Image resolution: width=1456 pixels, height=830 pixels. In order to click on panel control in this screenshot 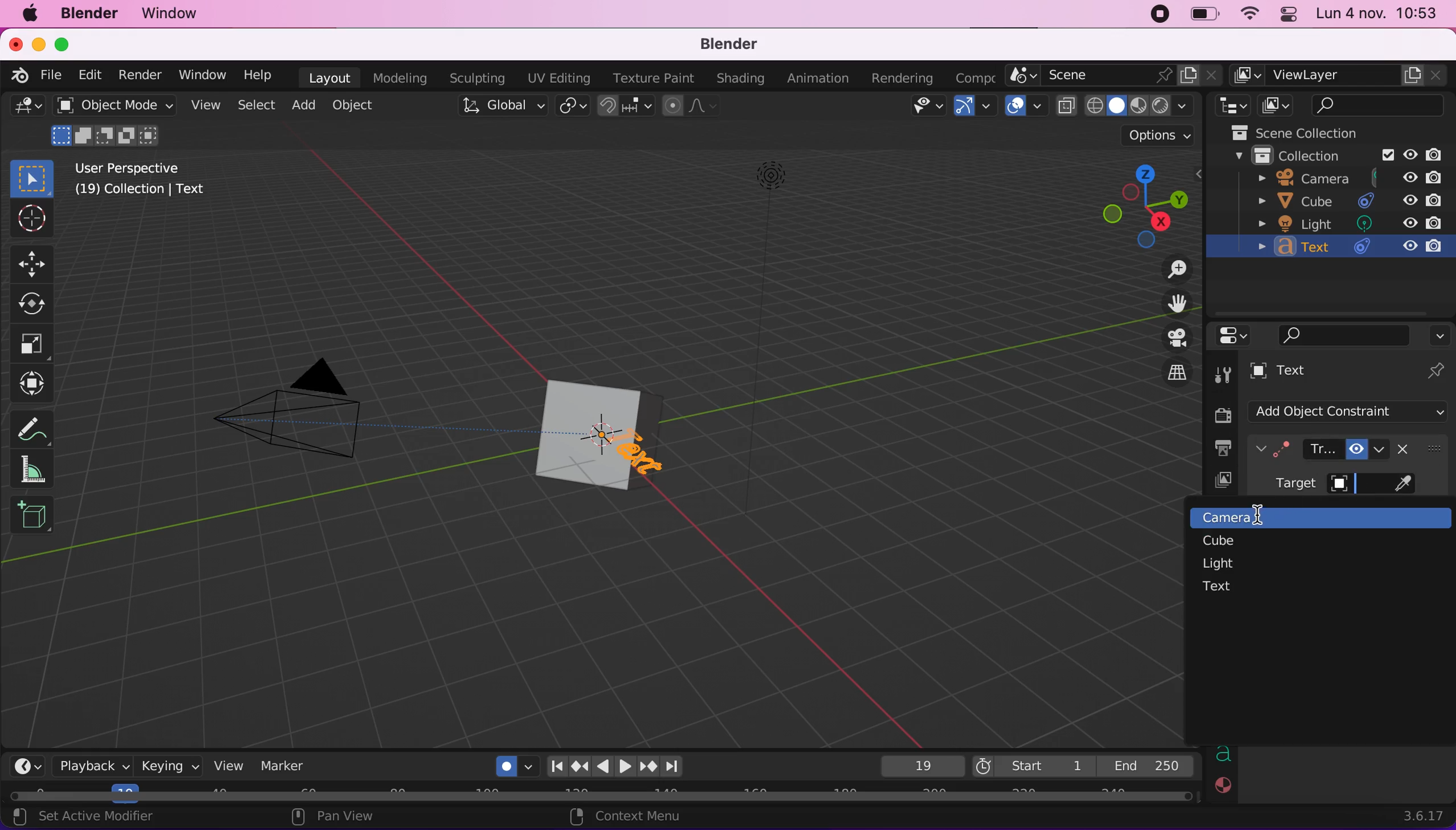, I will do `click(1286, 15)`.